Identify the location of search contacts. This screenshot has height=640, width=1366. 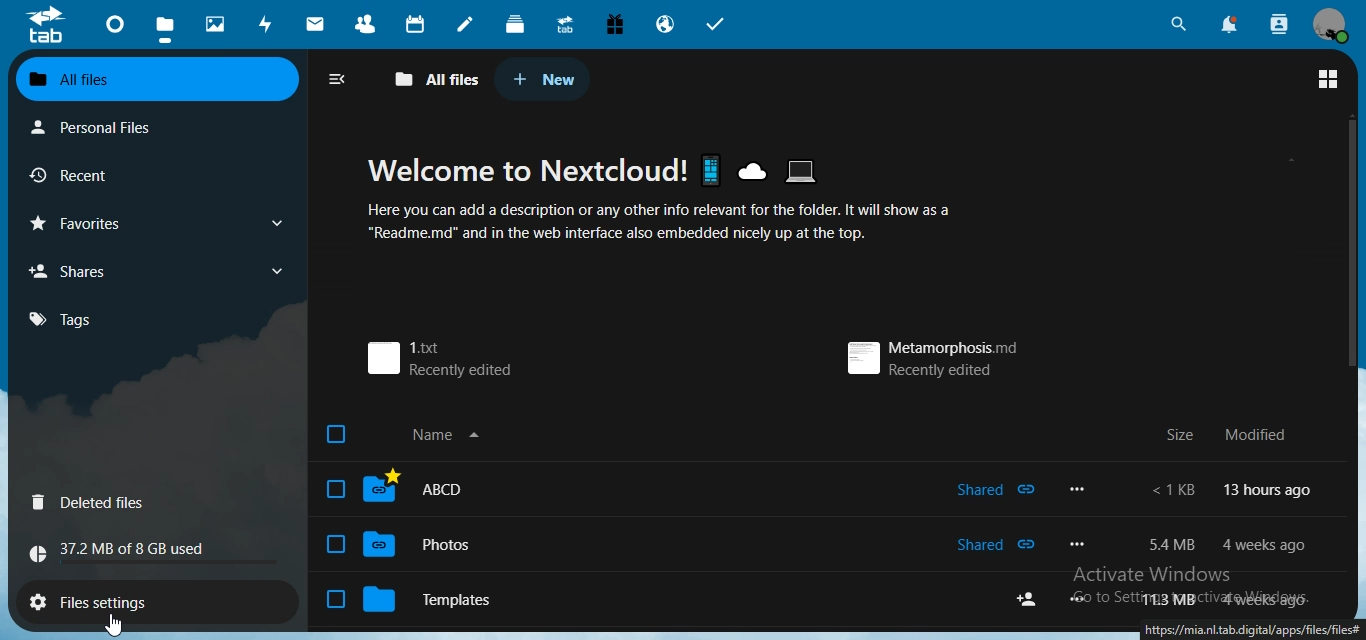
(1278, 22).